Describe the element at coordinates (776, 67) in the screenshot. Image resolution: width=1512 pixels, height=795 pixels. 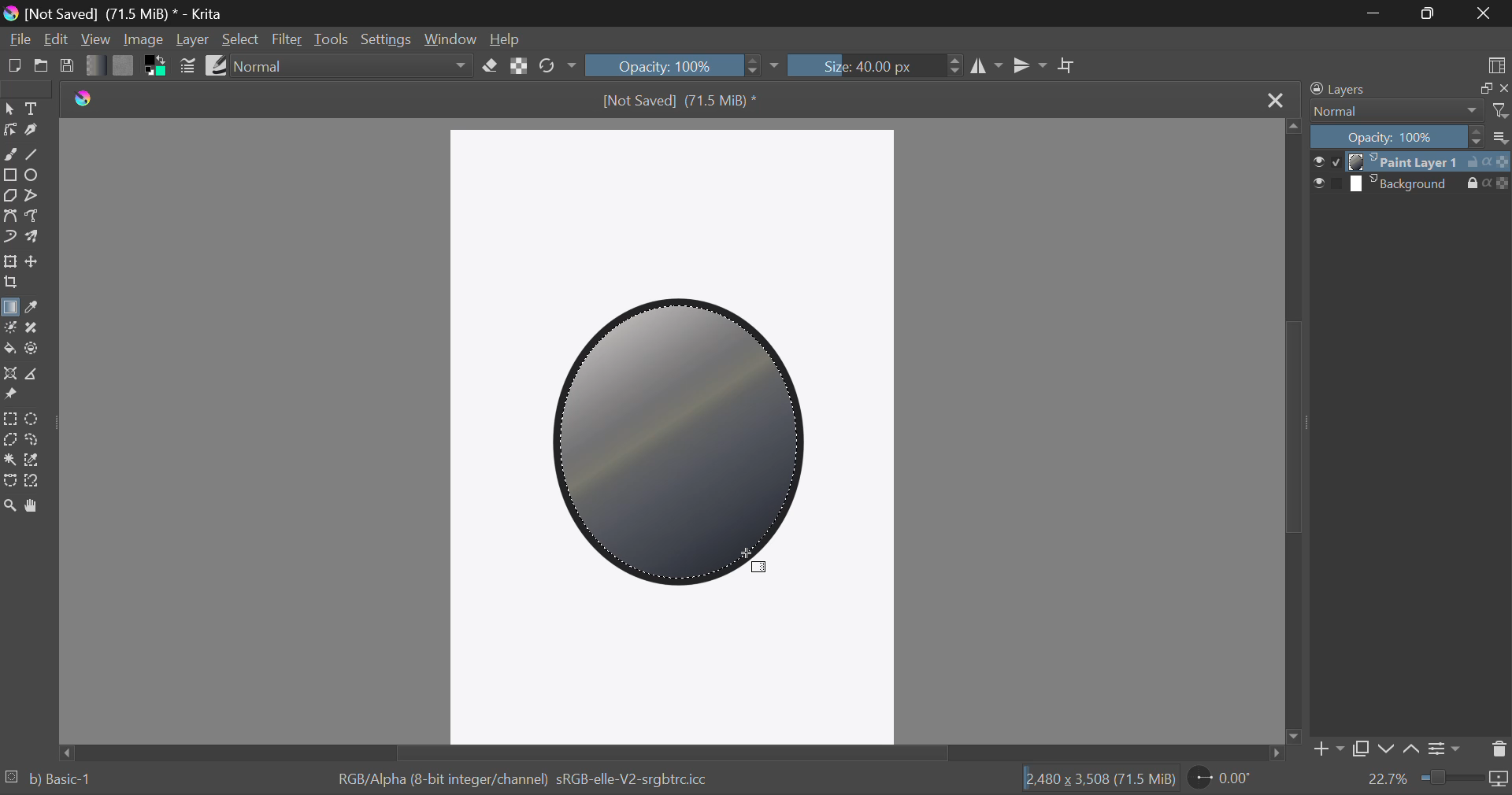
I see `dropdown` at that location.